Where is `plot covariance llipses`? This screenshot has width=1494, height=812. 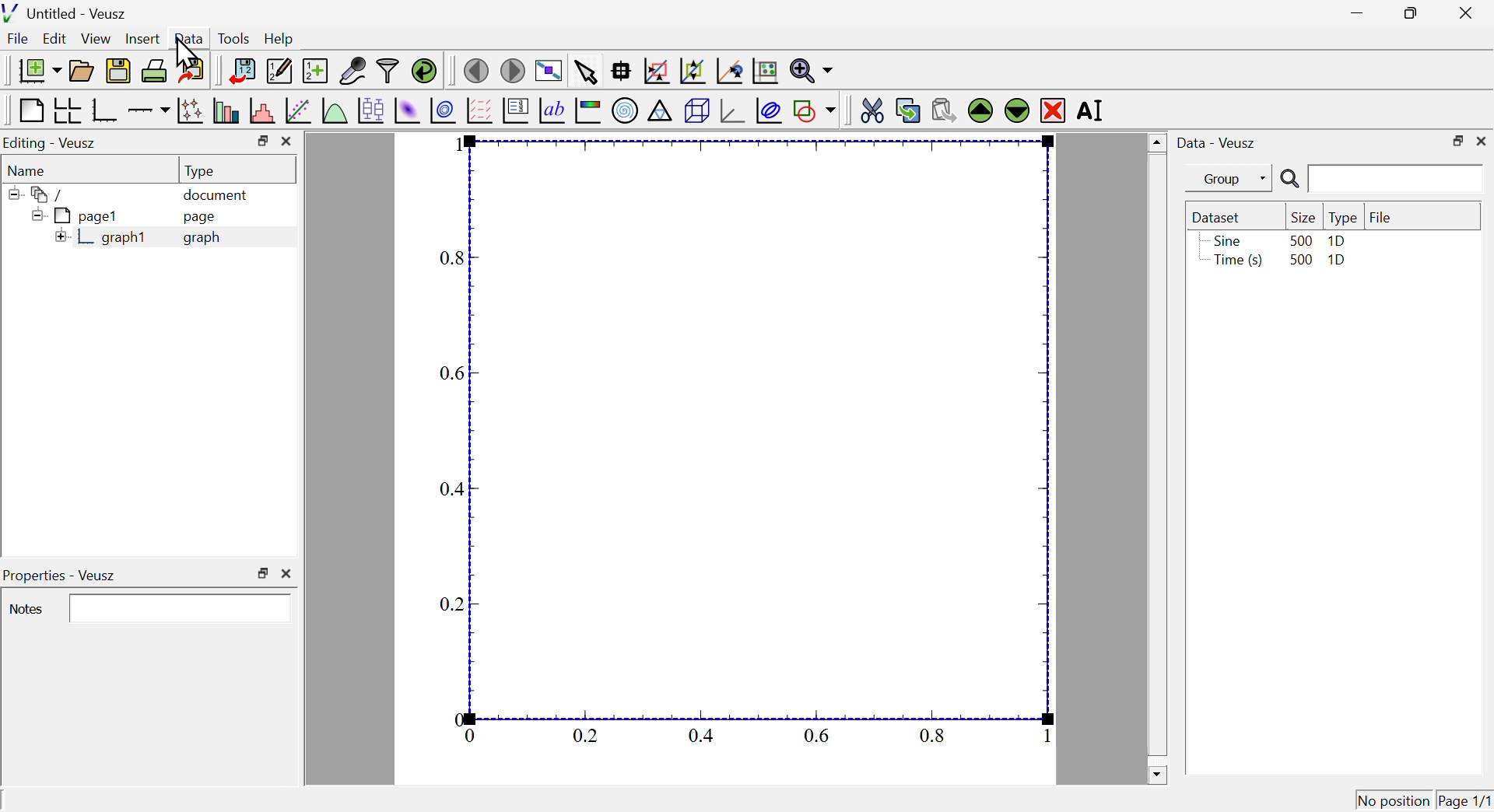 plot covariance llipses is located at coordinates (771, 110).